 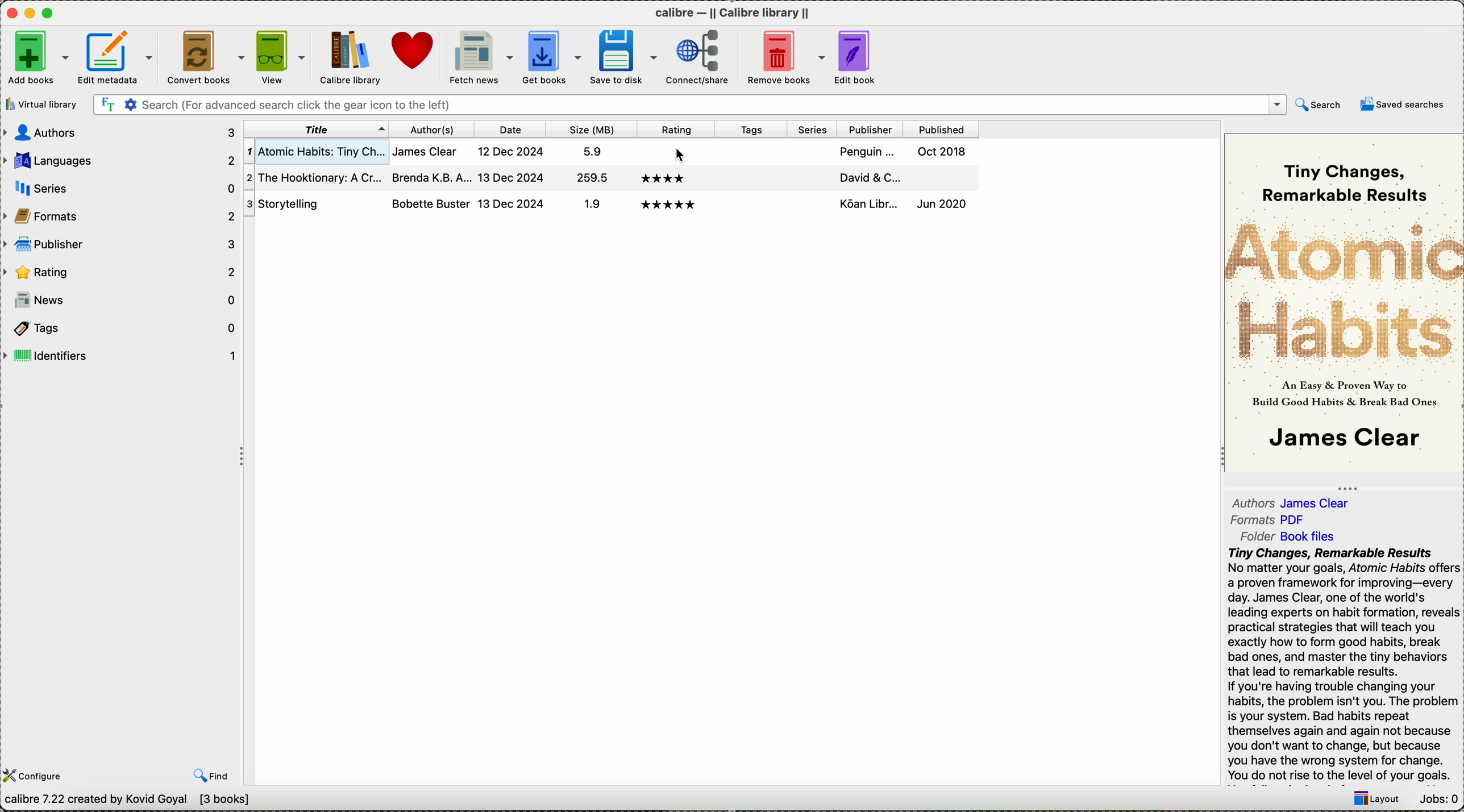 What do you see at coordinates (1345, 486) in the screenshot?
I see `collapse` at bounding box center [1345, 486].